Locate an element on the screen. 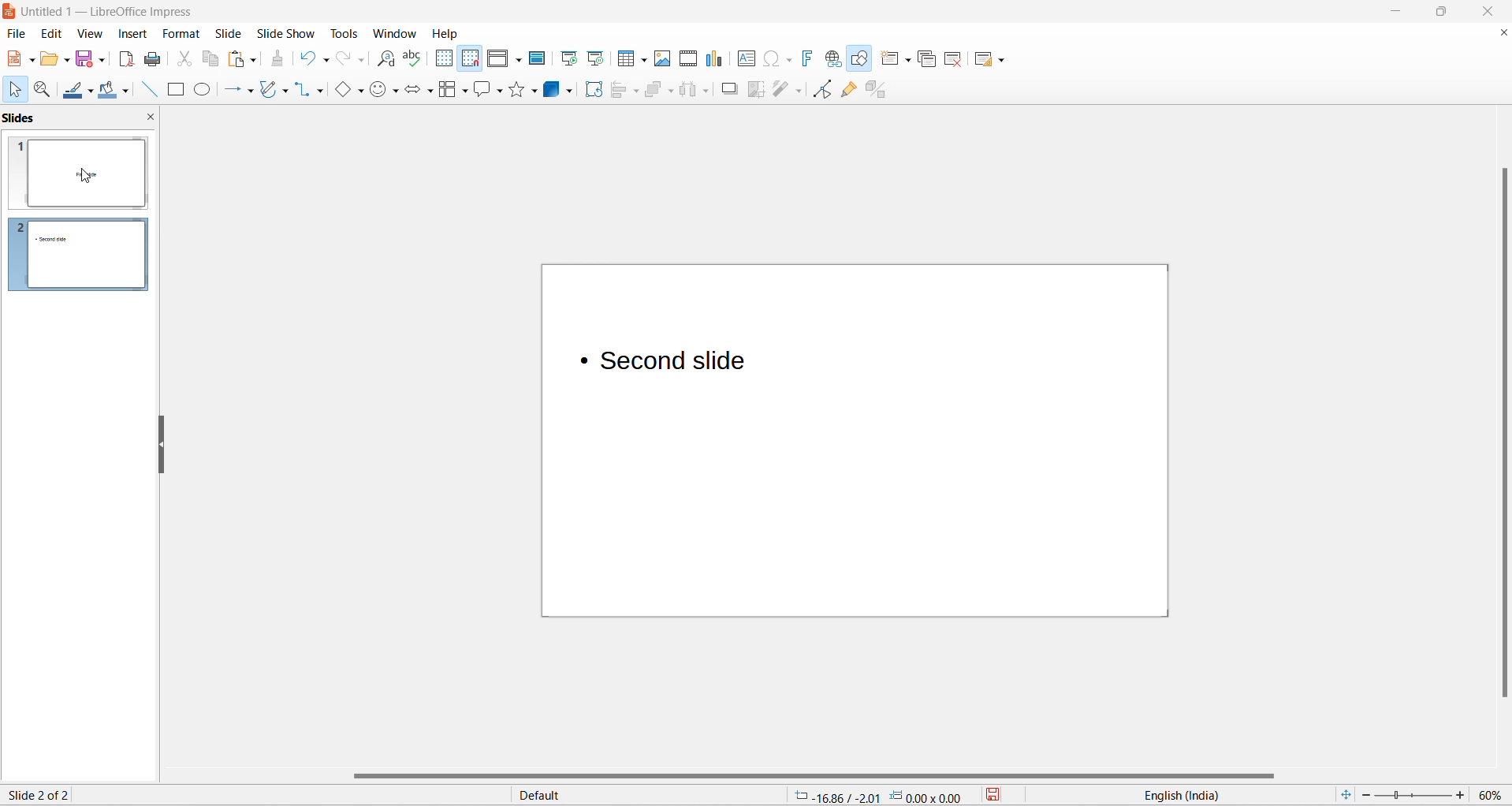  block arrows is located at coordinates (414, 90).